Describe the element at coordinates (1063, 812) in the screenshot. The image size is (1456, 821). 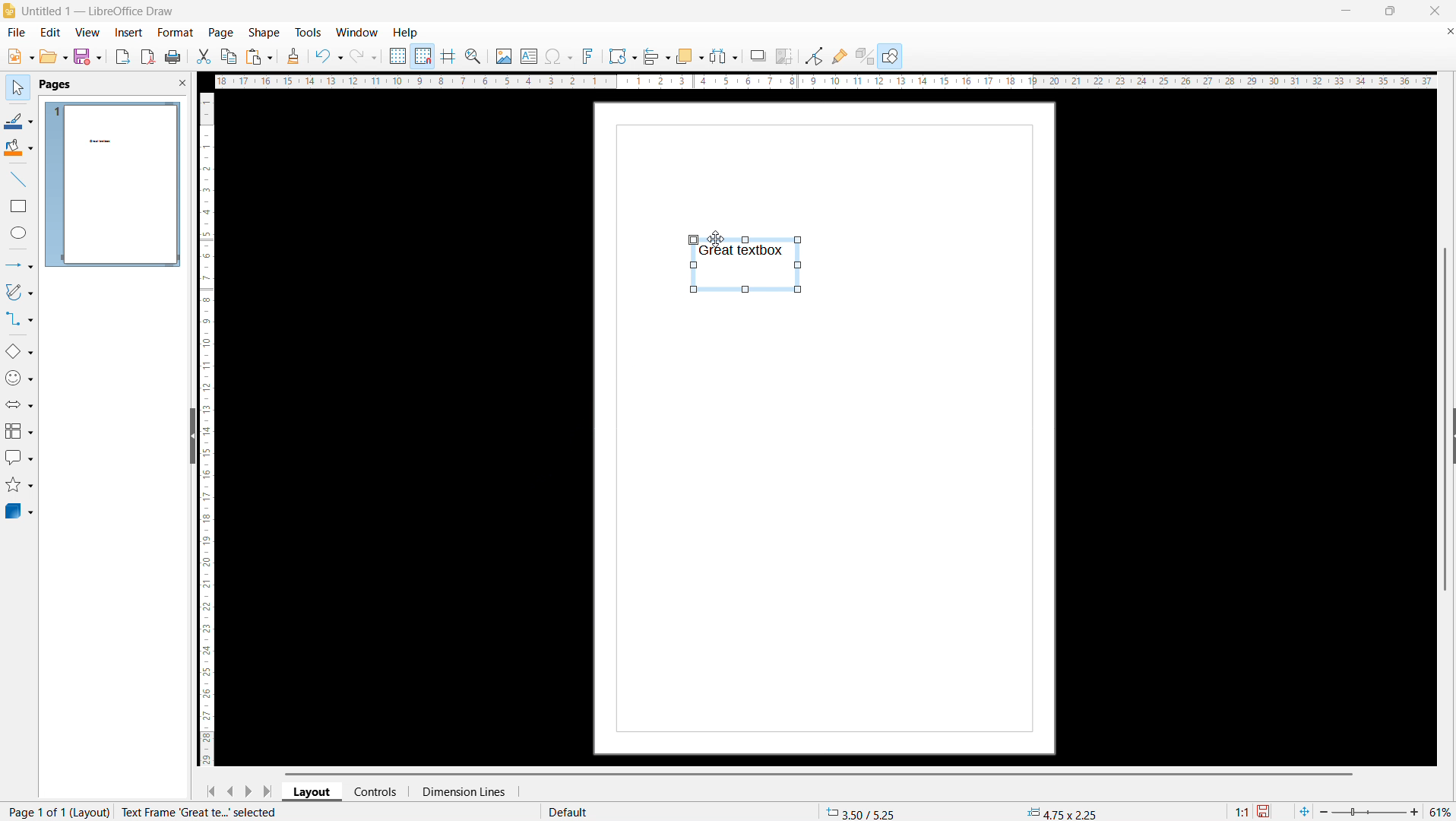
I see `object dimension` at that location.